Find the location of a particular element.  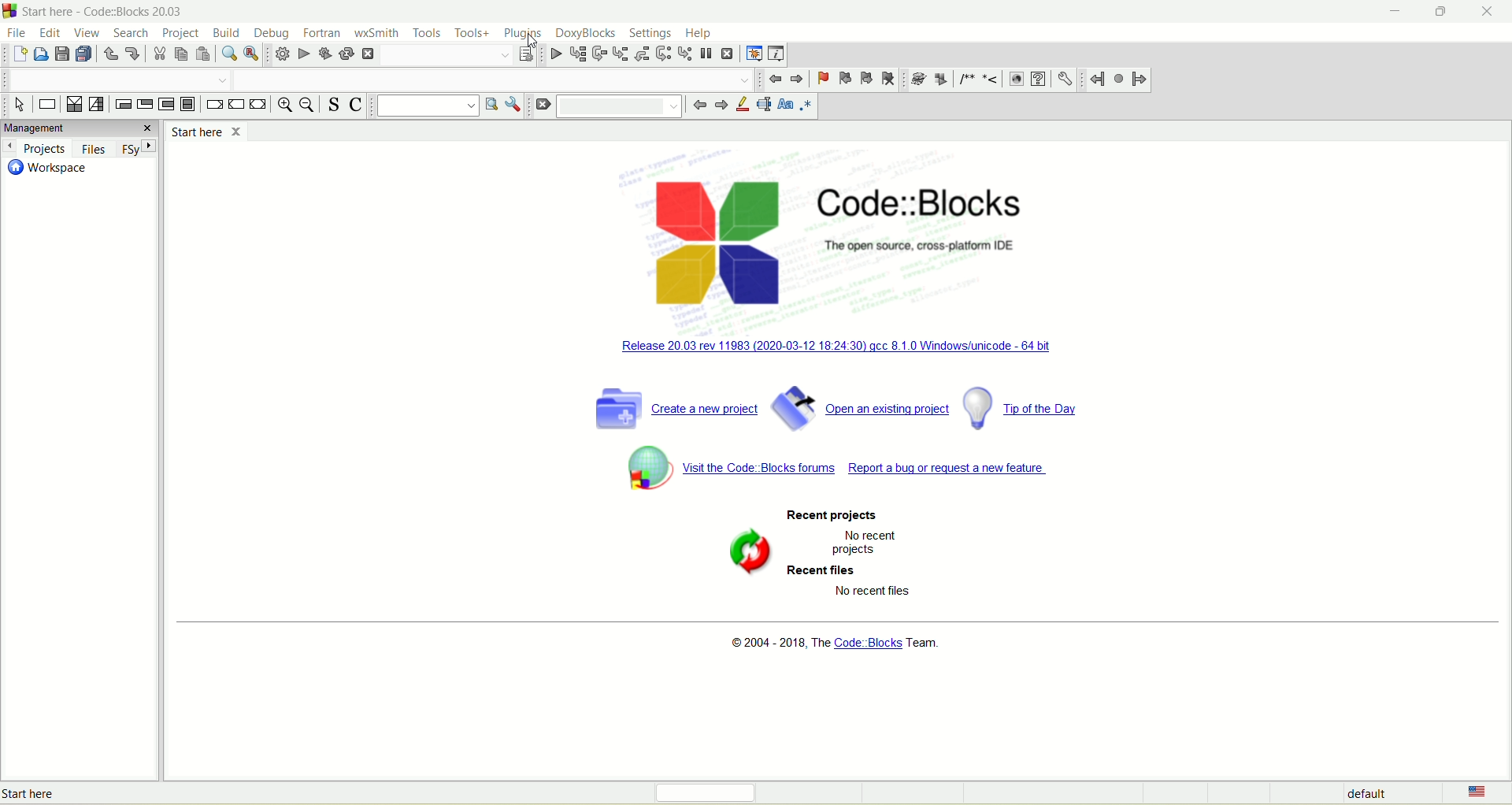

counting loop is located at coordinates (166, 105).